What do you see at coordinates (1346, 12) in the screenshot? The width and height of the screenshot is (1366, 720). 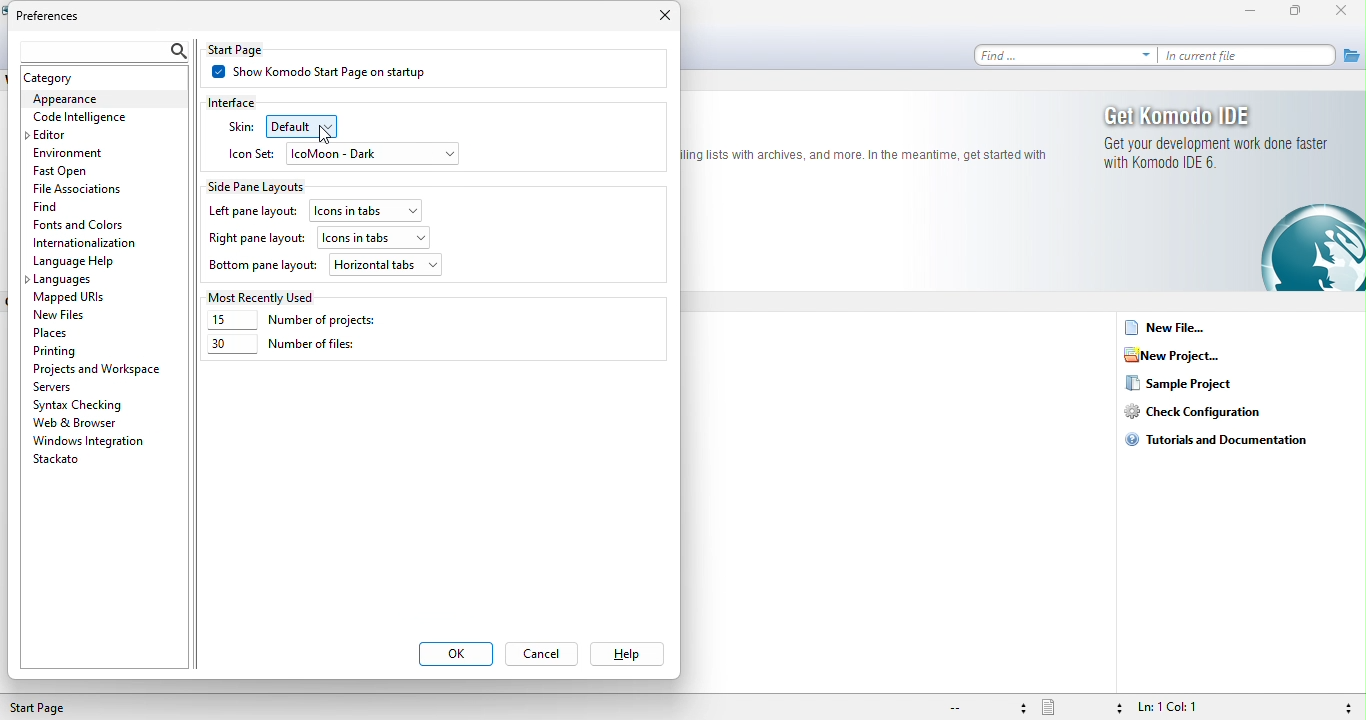 I see `close` at bounding box center [1346, 12].